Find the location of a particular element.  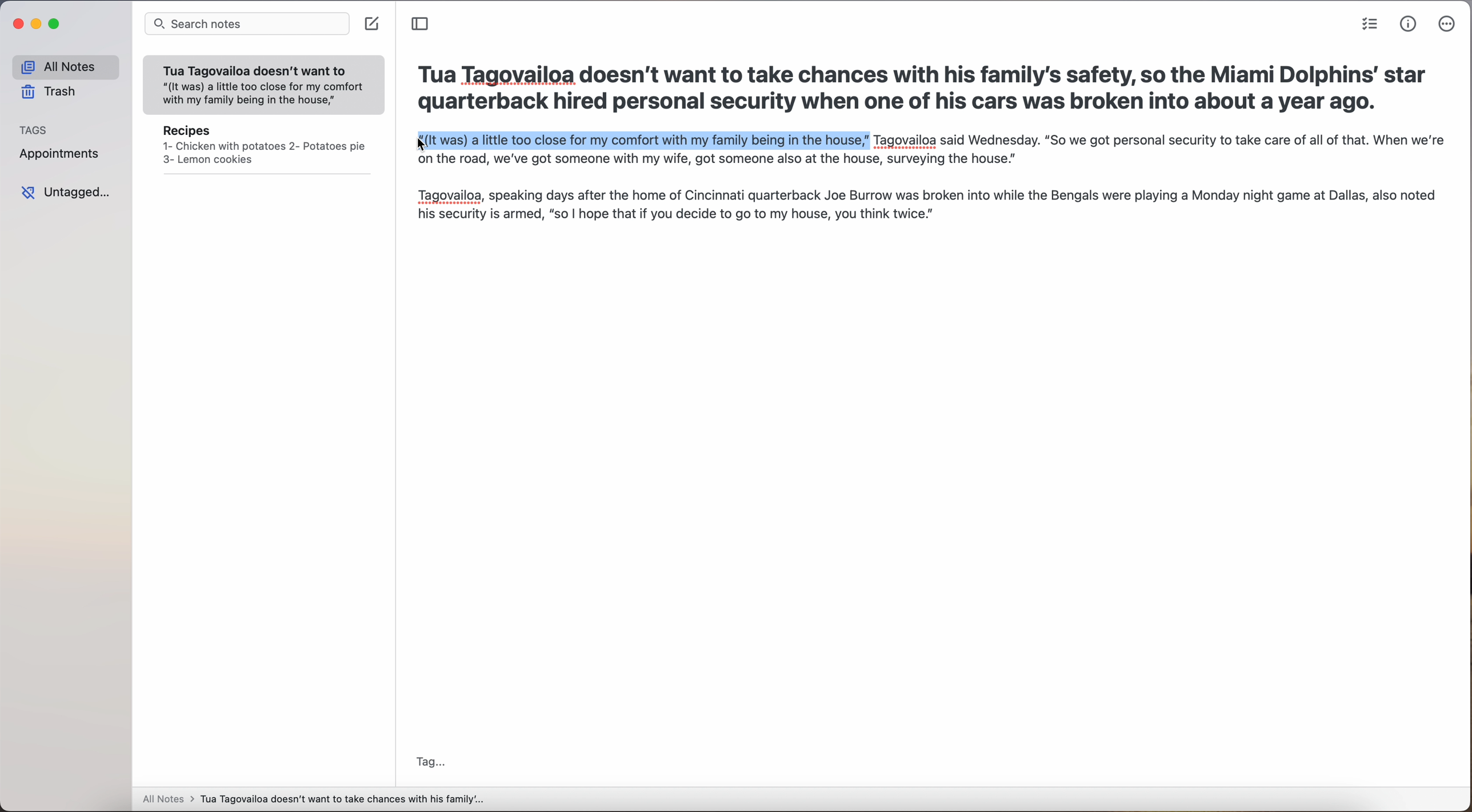

appointments is located at coordinates (63, 155).